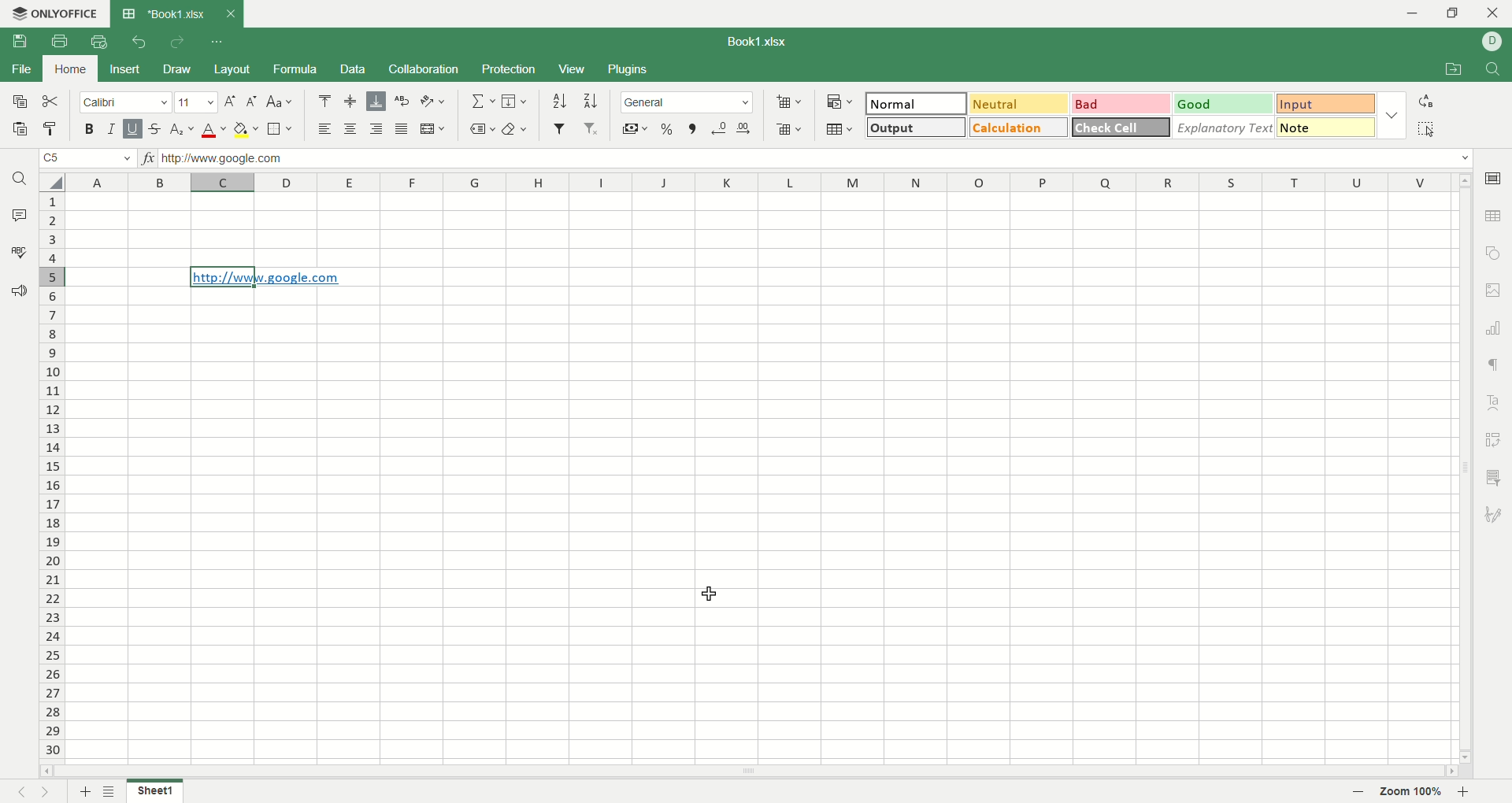 This screenshot has width=1512, height=803. I want to click on paste, so click(20, 131).